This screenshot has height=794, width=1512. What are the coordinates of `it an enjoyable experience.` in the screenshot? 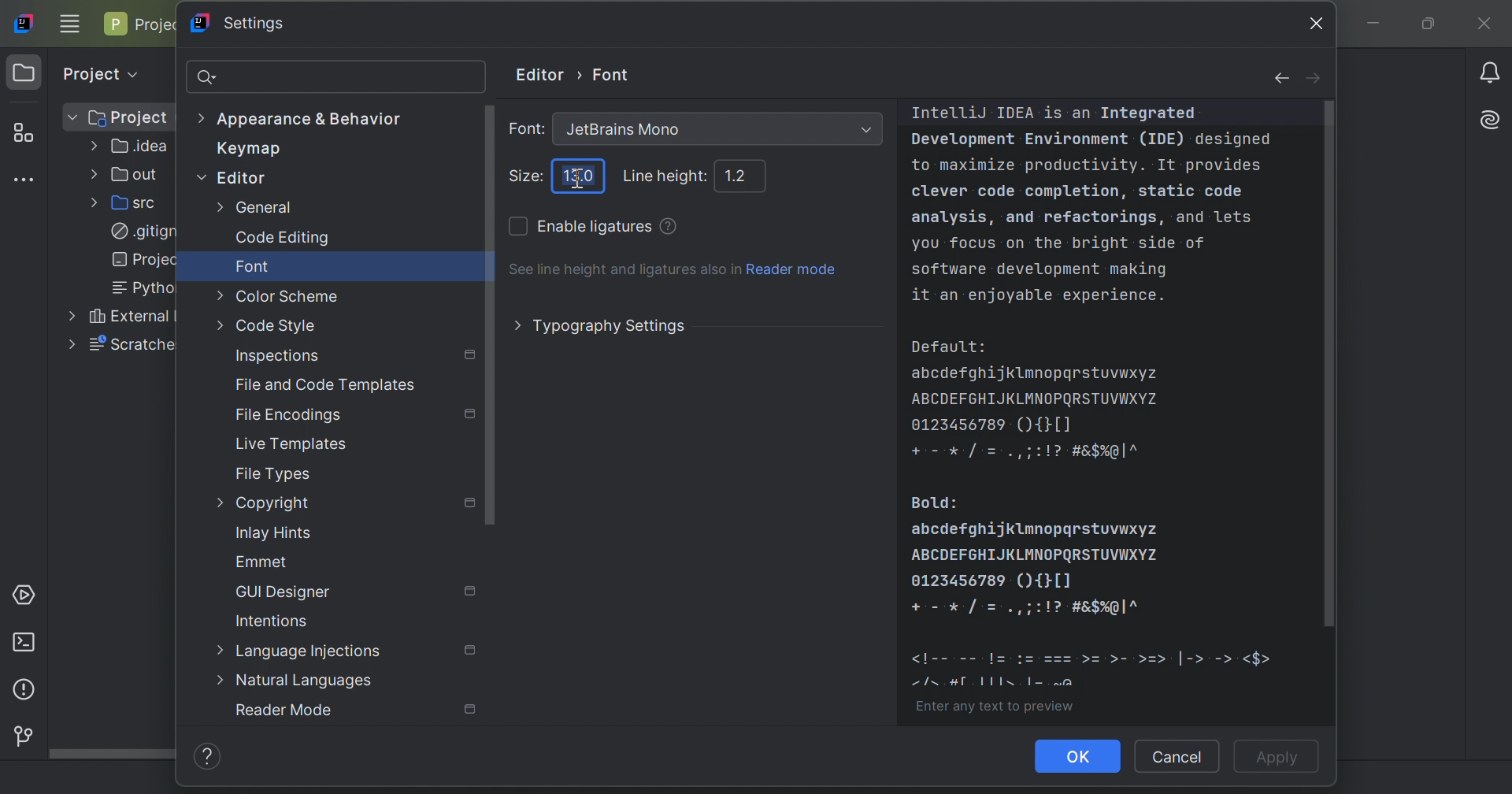 It's located at (1039, 297).